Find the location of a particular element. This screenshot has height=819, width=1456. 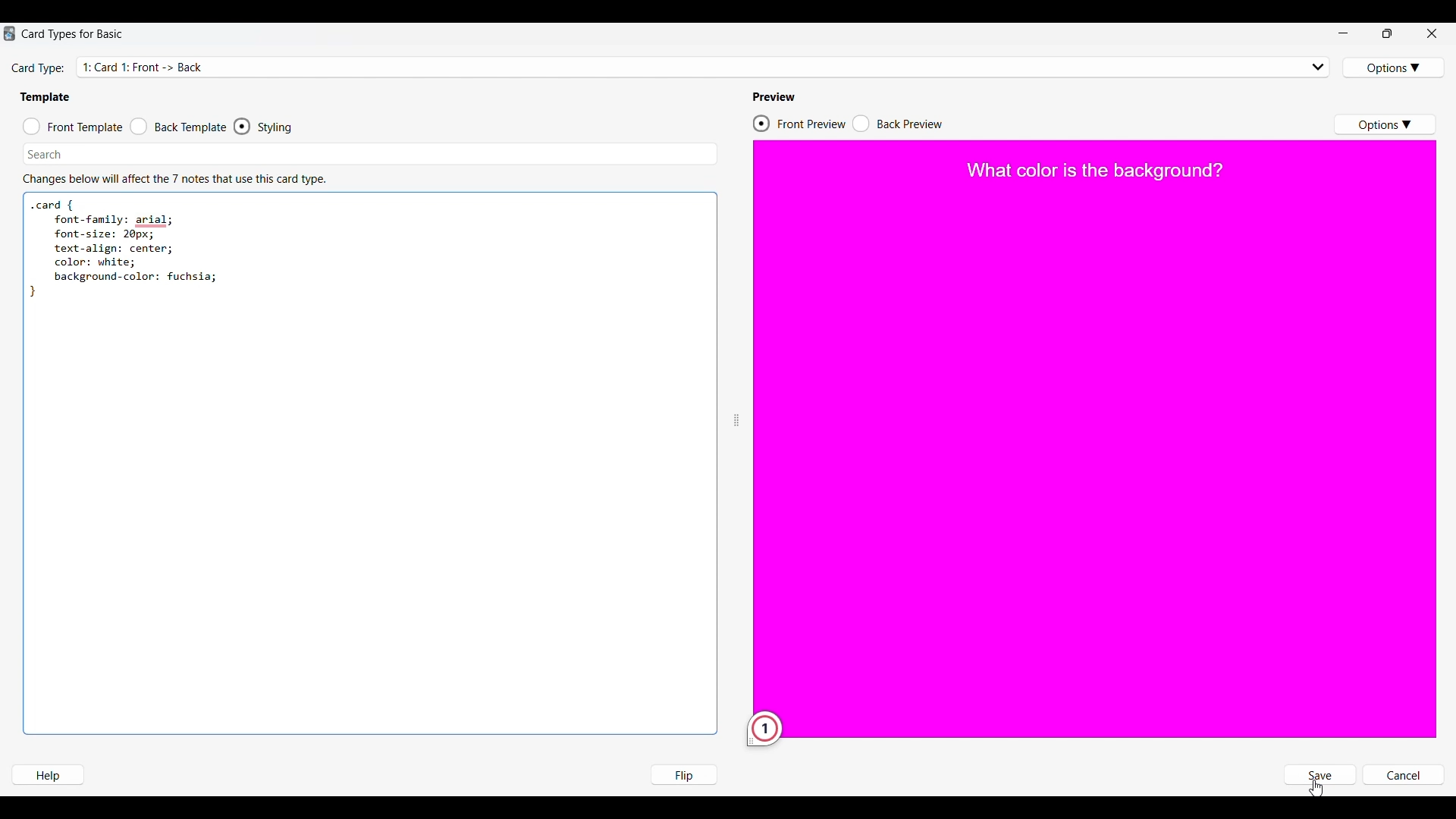

Displays card type selected is located at coordinates (705, 66).